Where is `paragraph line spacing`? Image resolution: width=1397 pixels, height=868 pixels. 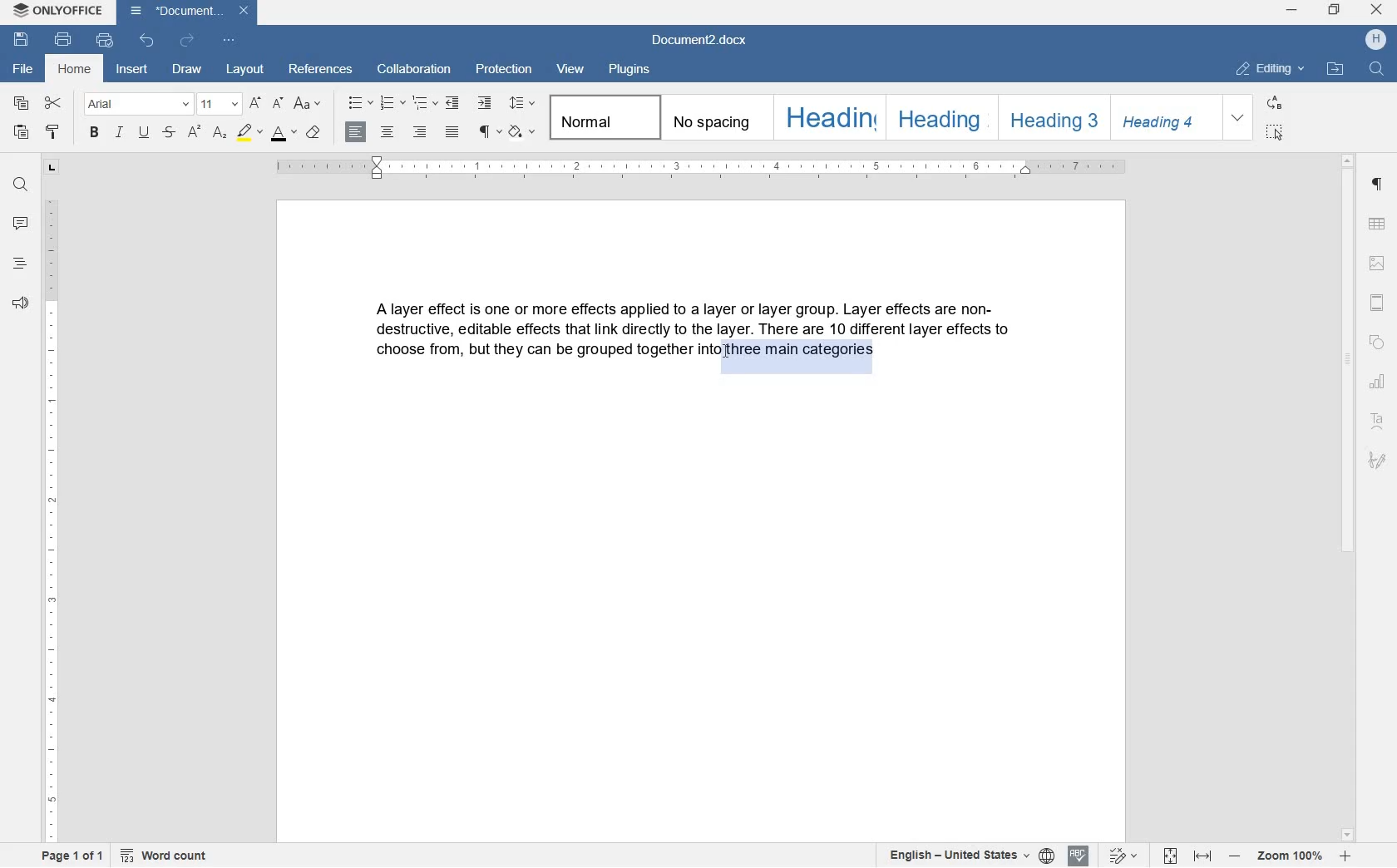
paragraph line spacing is located at coordinates (524, 106).